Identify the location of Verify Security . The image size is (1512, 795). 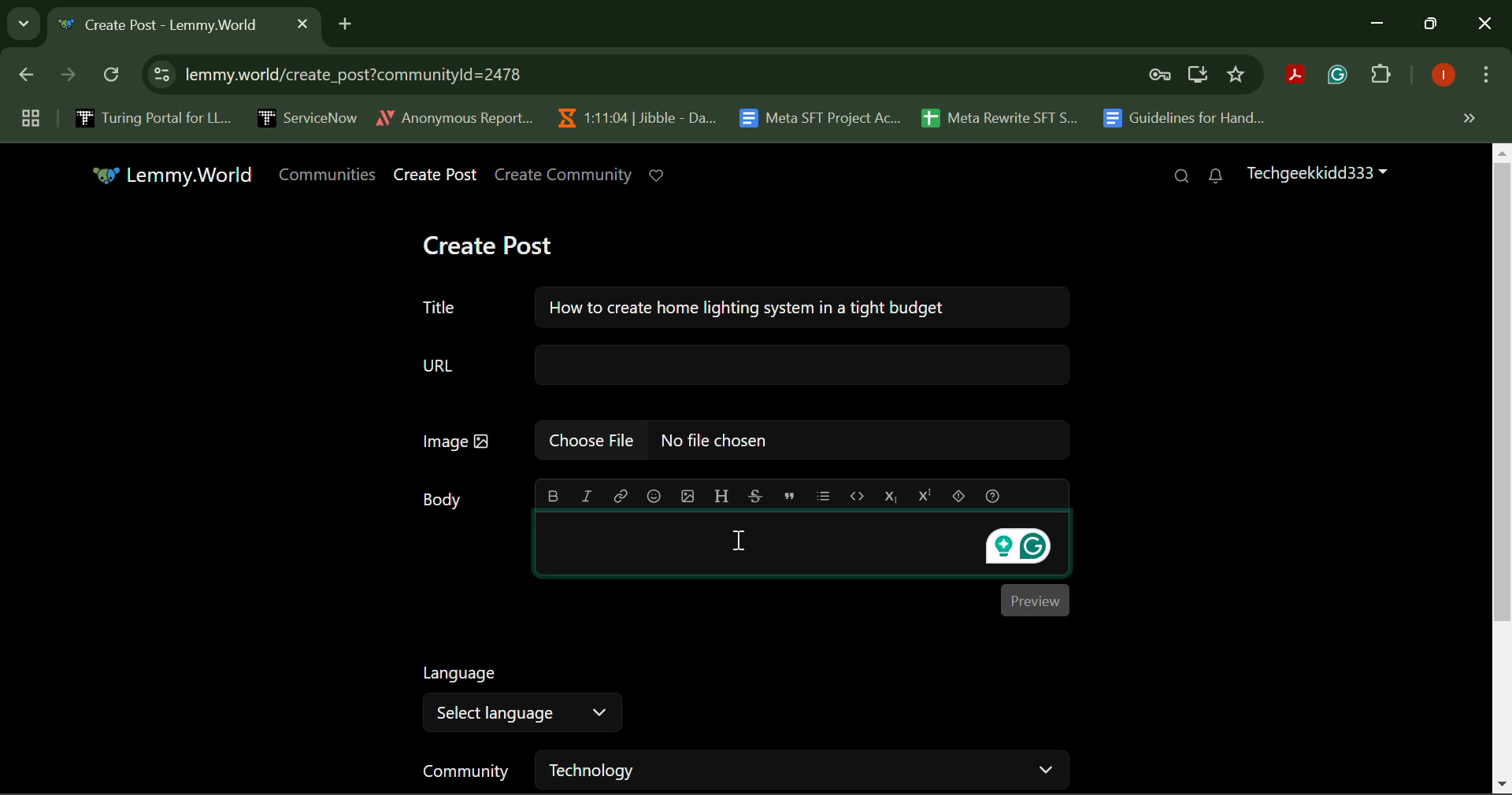
(1162, 75).